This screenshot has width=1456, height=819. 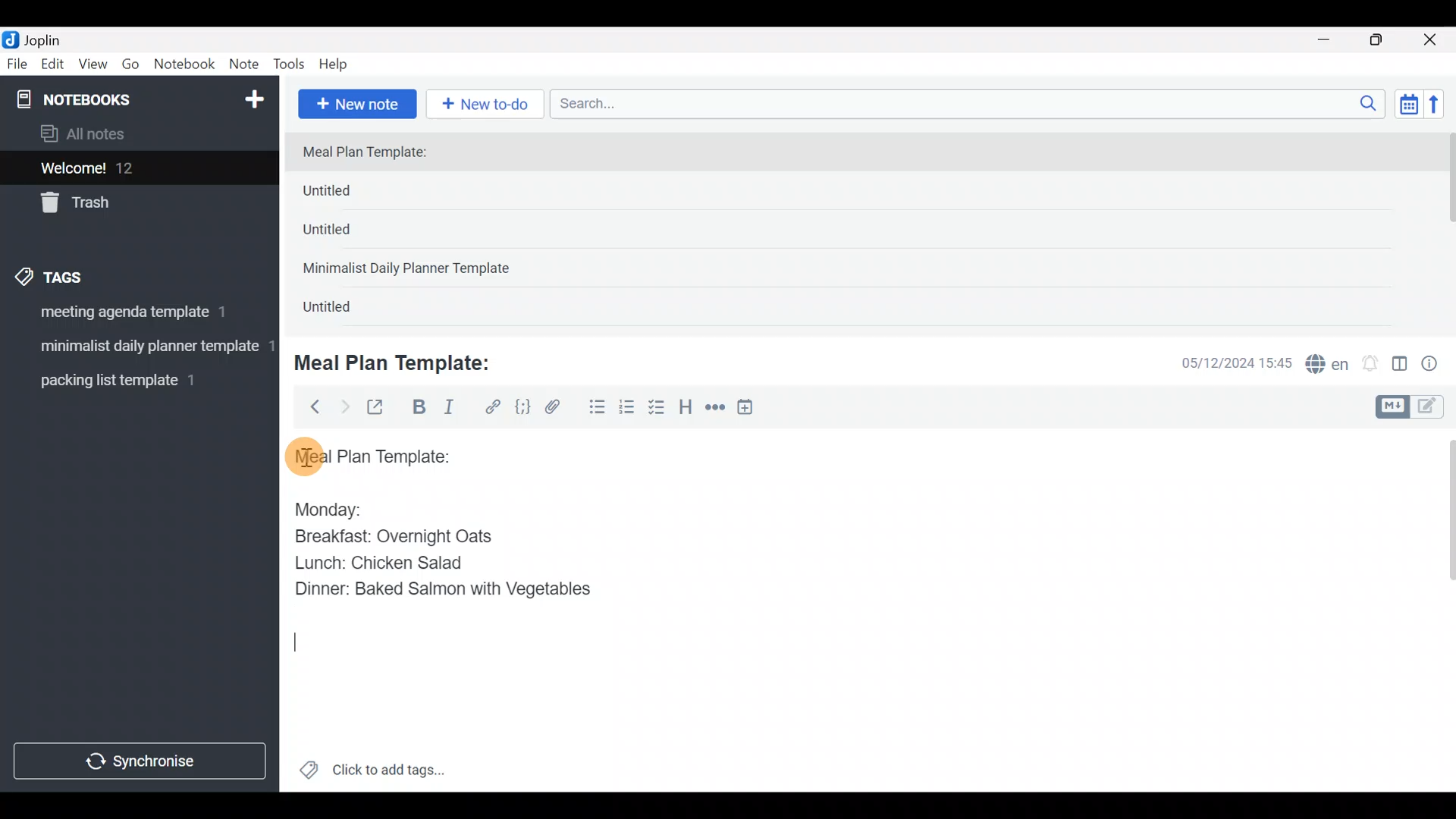 I want to click on Tools, so click(x=290, y=65).